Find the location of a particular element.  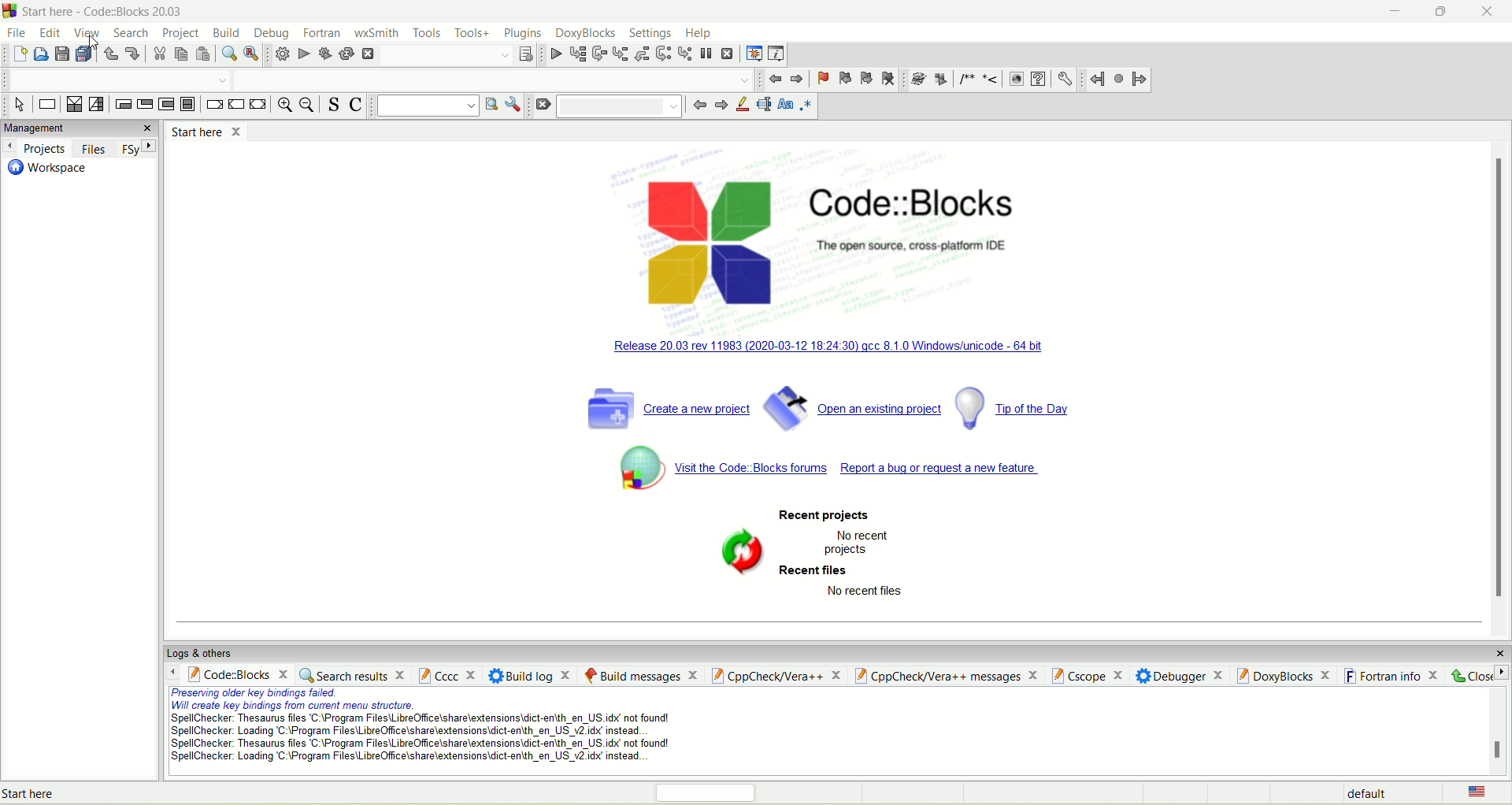

stop debugger is located at coordinates (730, 54).